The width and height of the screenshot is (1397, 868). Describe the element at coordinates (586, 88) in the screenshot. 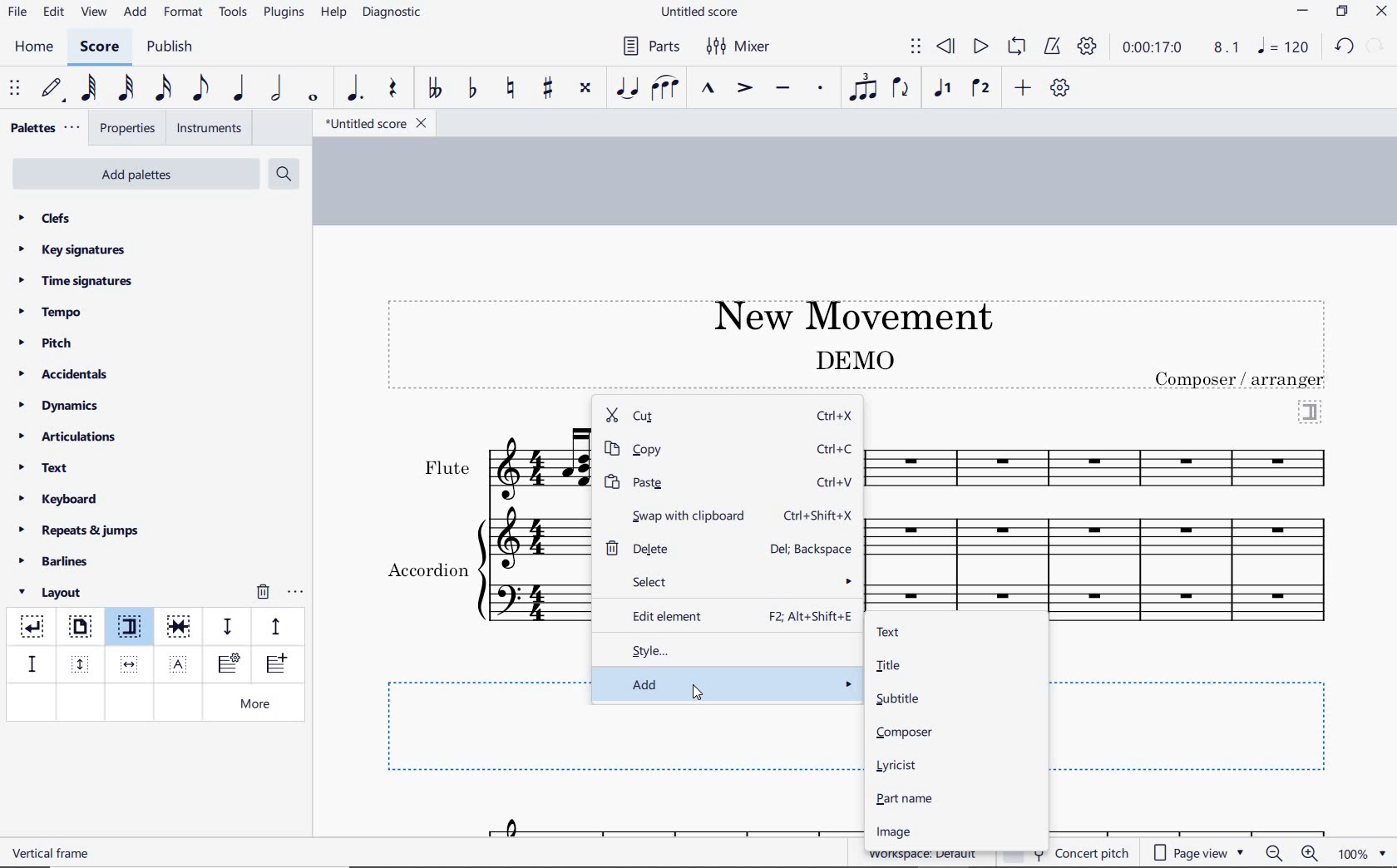

I see `toggle double-sharp` at that location.